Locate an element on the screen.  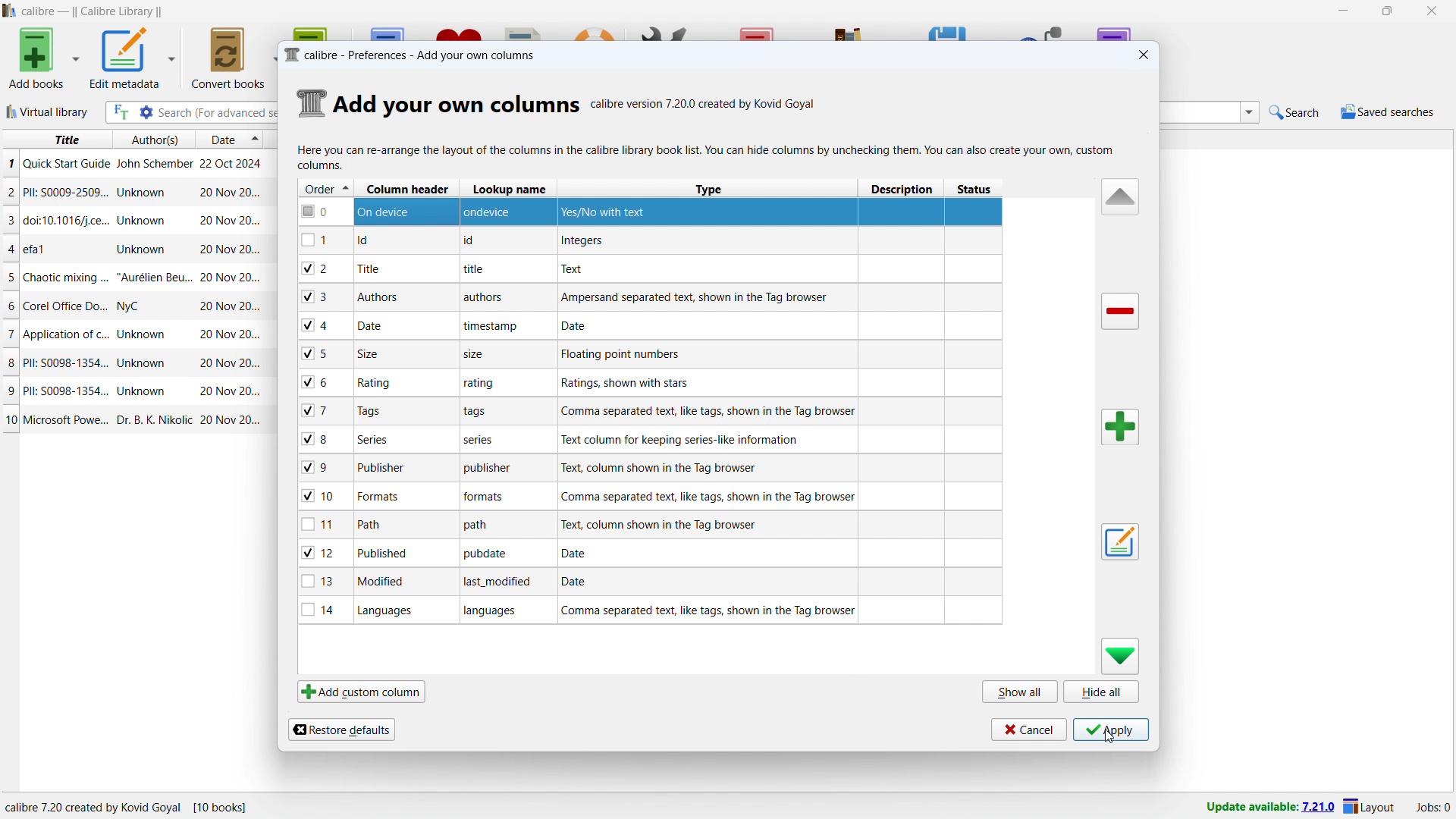
ve Series series Text column for keeping series-like information is located at coordinates (646, 437).